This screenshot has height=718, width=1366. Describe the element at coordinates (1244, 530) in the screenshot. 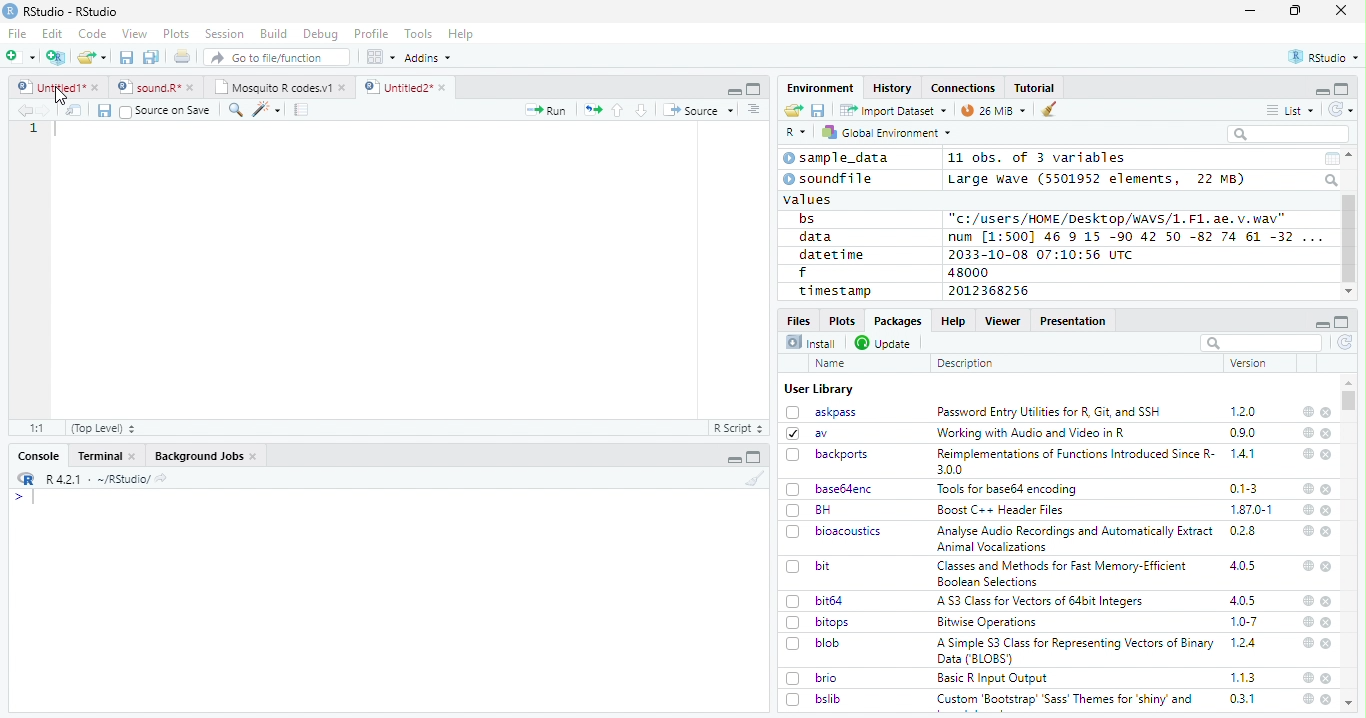

I see `0.2.8` at that location.